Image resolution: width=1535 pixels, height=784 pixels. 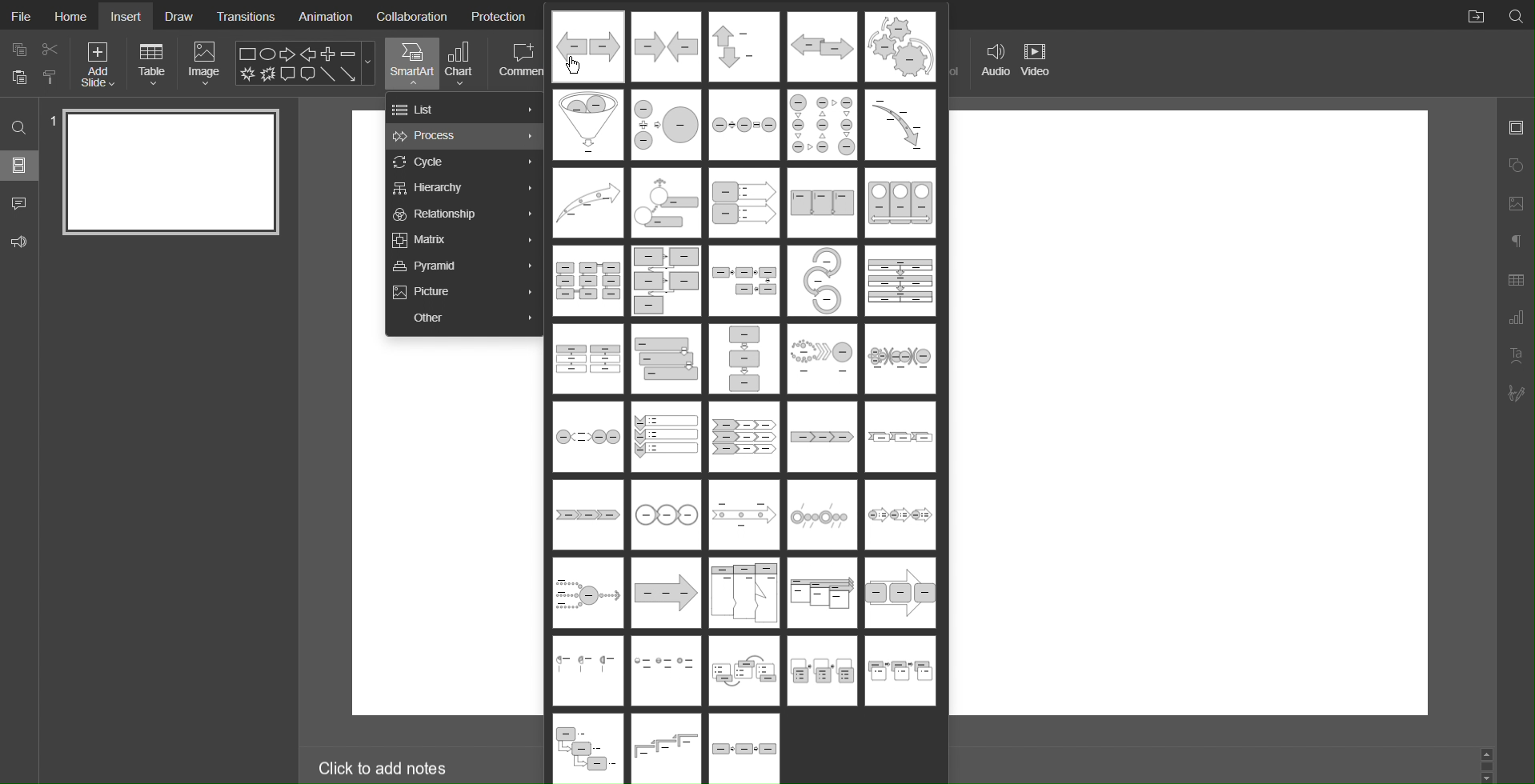 What do you see at coordinates (991, 63) in the screenshot?
I see `Audio` at bounding box center [991, 63].